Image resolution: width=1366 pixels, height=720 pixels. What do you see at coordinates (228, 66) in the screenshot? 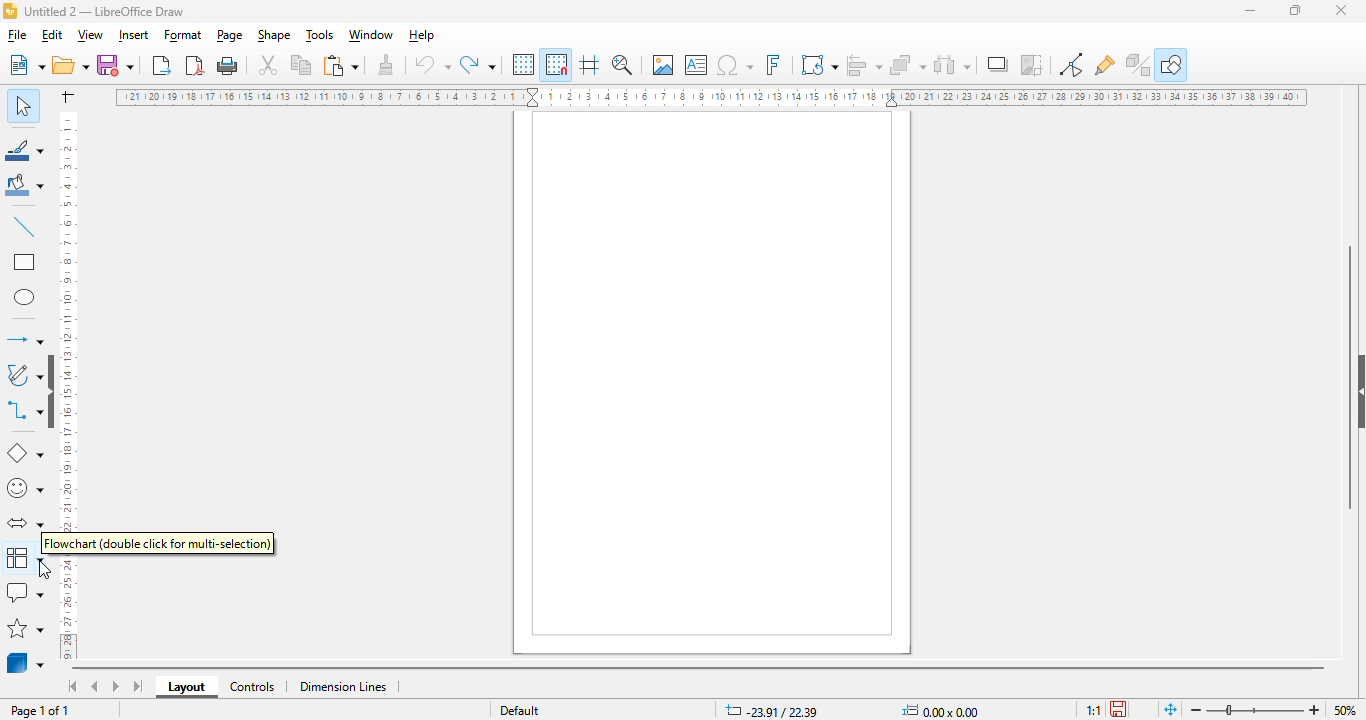
I see `print` at bounding box center [228, 66].